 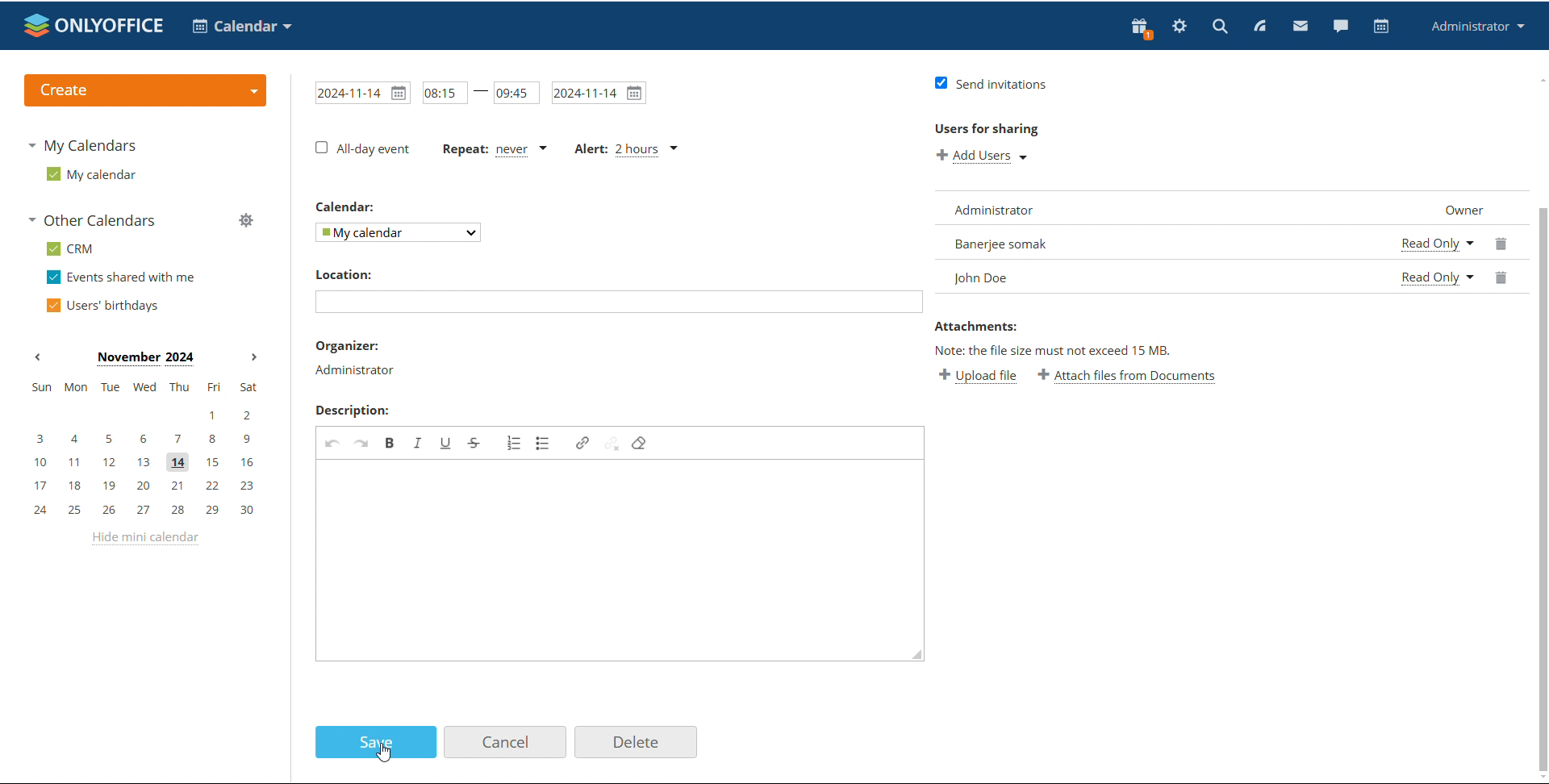 What do you see at coordinates (641, 444) in the screenshot?
I see `Remove format` at bounding box center [641, 444].